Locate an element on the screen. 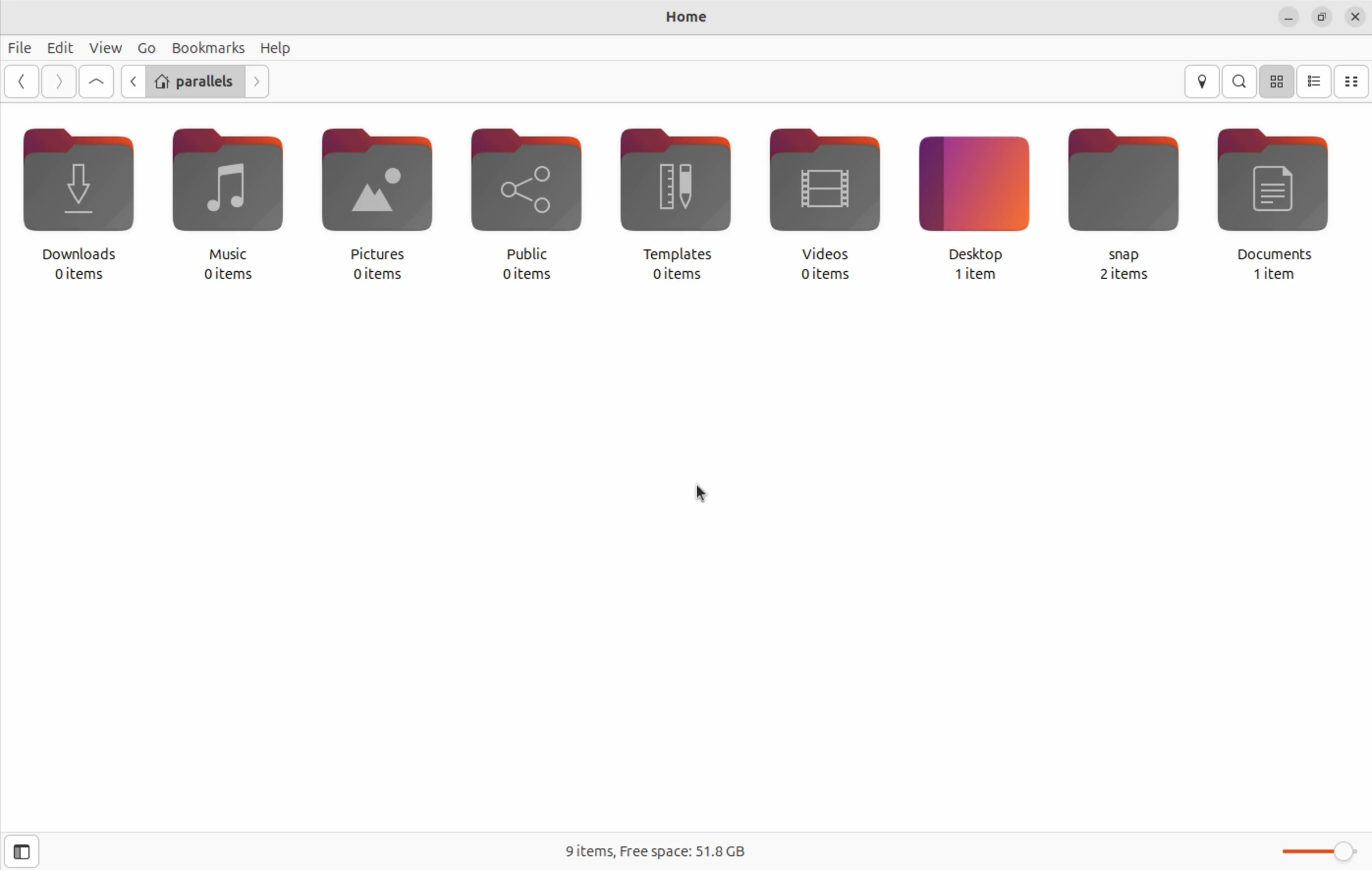 This screenshot has height=870, width=1372. Go is located at coordinates (146, 47).